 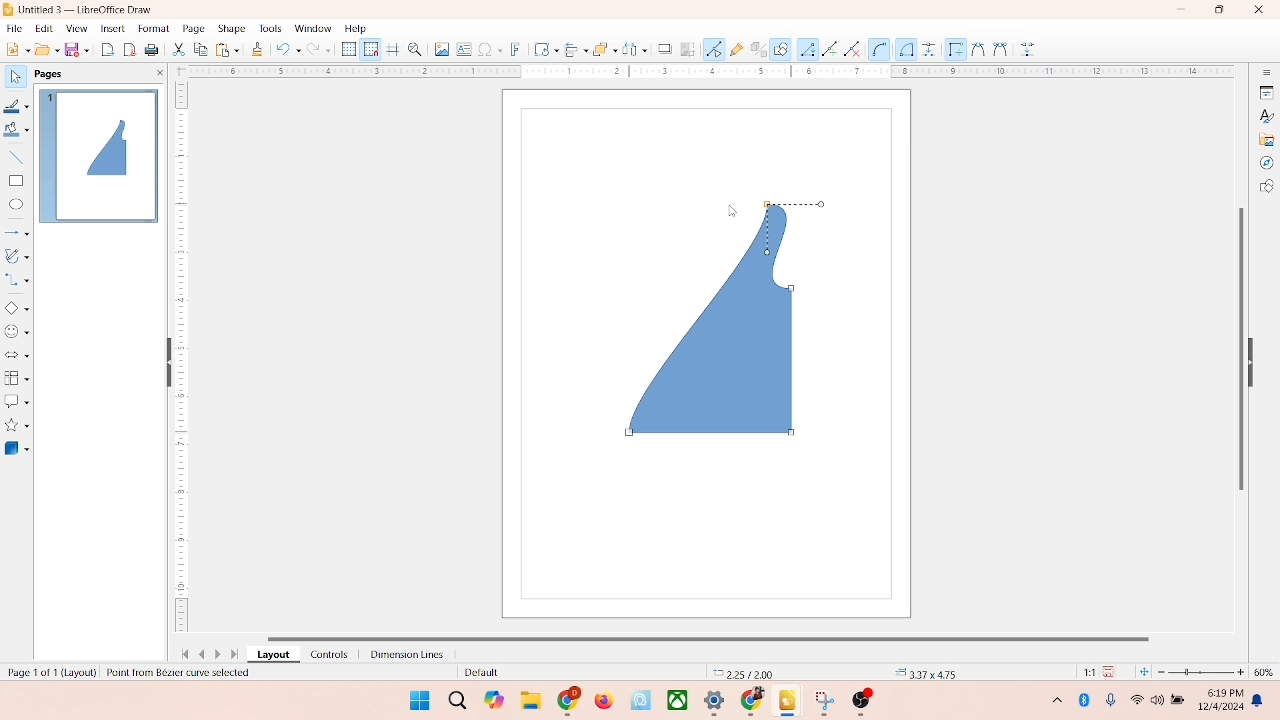 I want to click on rectangle, so click(x=16, y=180).